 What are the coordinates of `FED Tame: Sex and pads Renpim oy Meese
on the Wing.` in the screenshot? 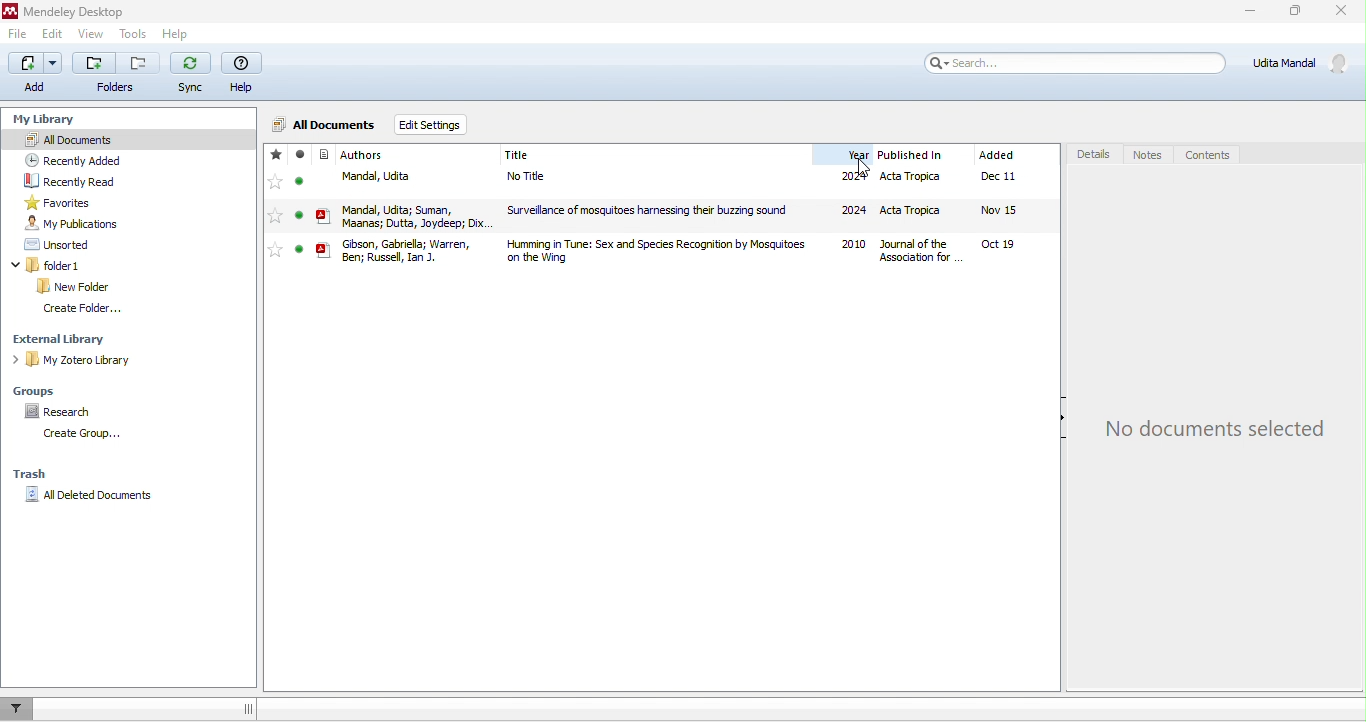 It's located at (652, 251).